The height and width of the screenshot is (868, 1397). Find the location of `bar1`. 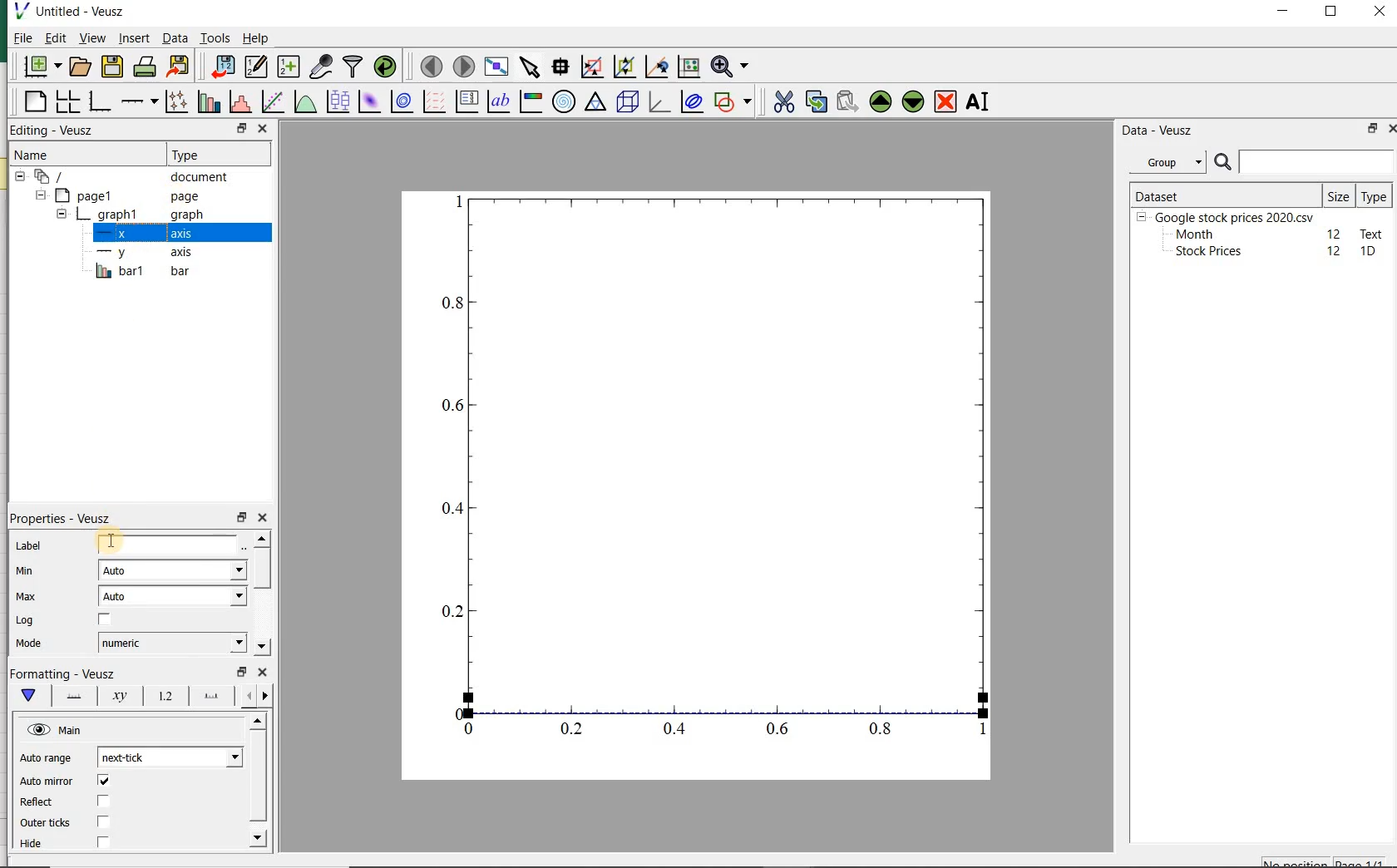

bar1 is located at coordinates (138, 272).